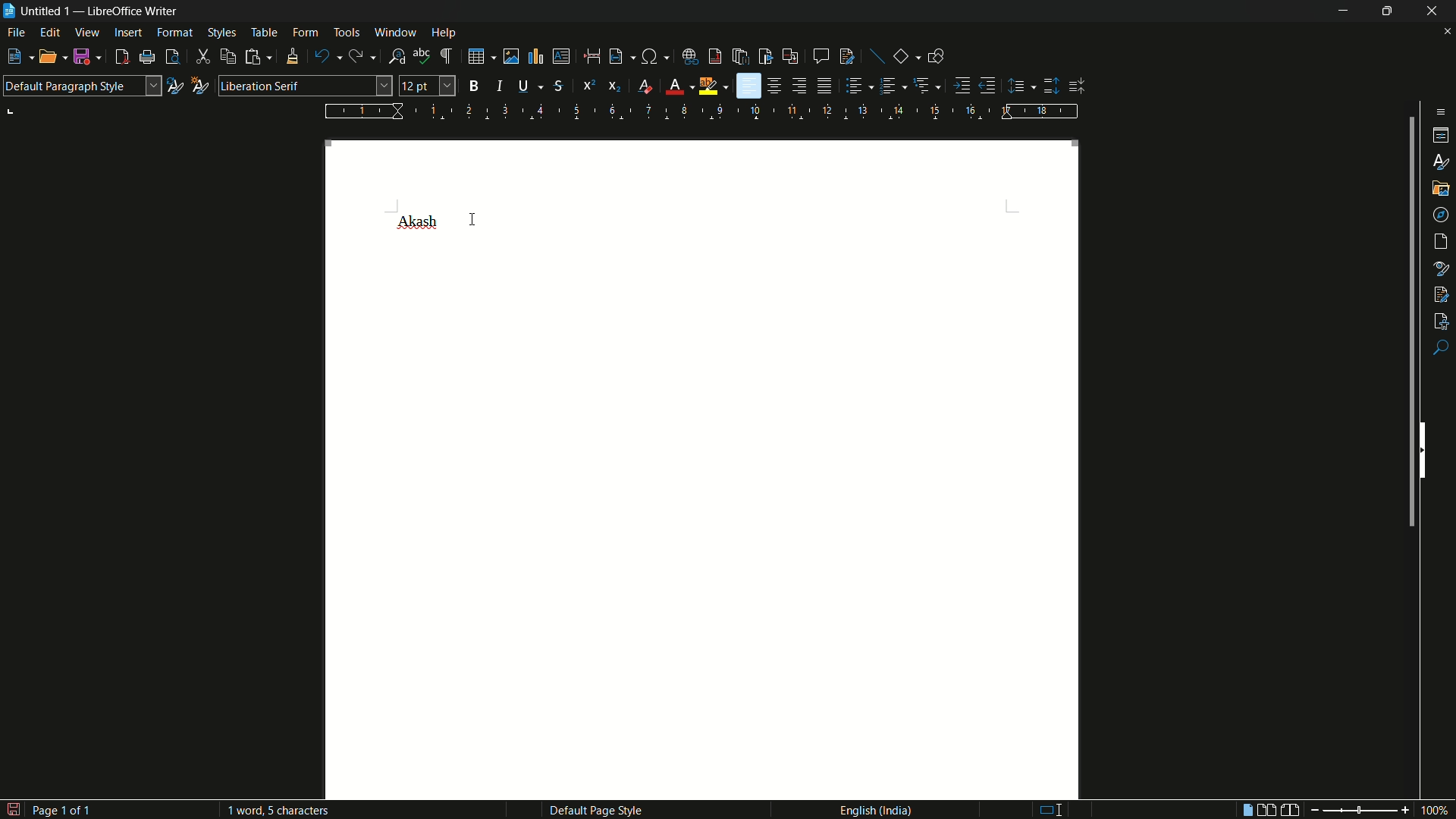  What do you see at coordinates (81, 86) in the screenshot?
I see `paragraph style` at bounding box center [81, 86].